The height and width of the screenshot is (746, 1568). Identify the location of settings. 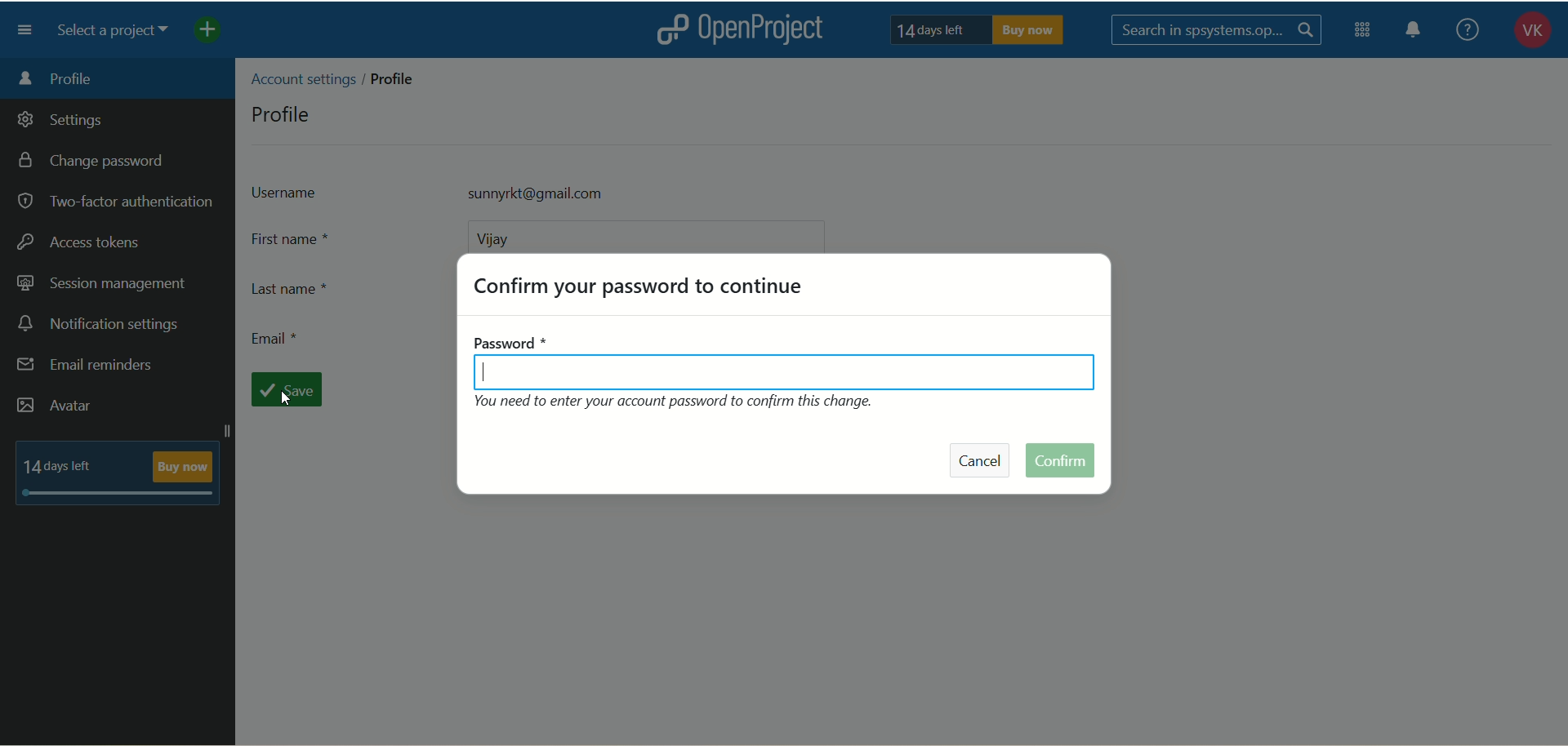
(61, 122).